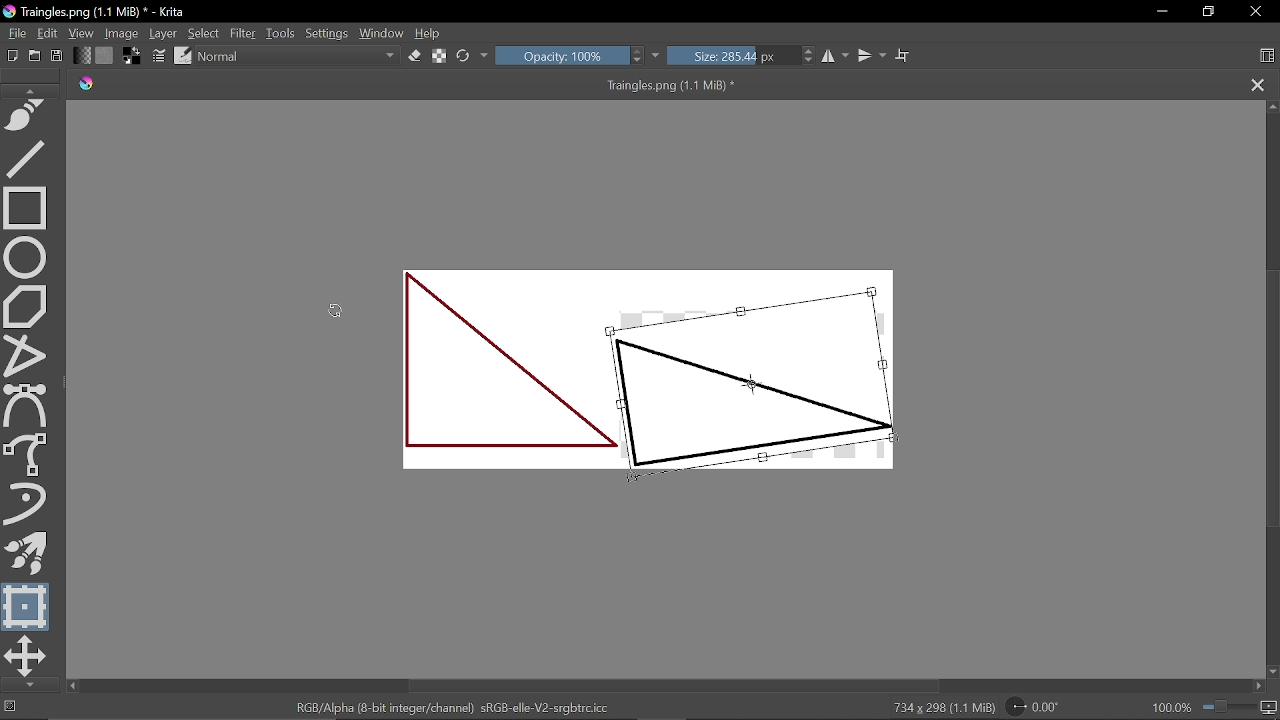  Describe the element at coordinates (31, 505) in the screenshot. I see `Dynamic brush tool` at that location.